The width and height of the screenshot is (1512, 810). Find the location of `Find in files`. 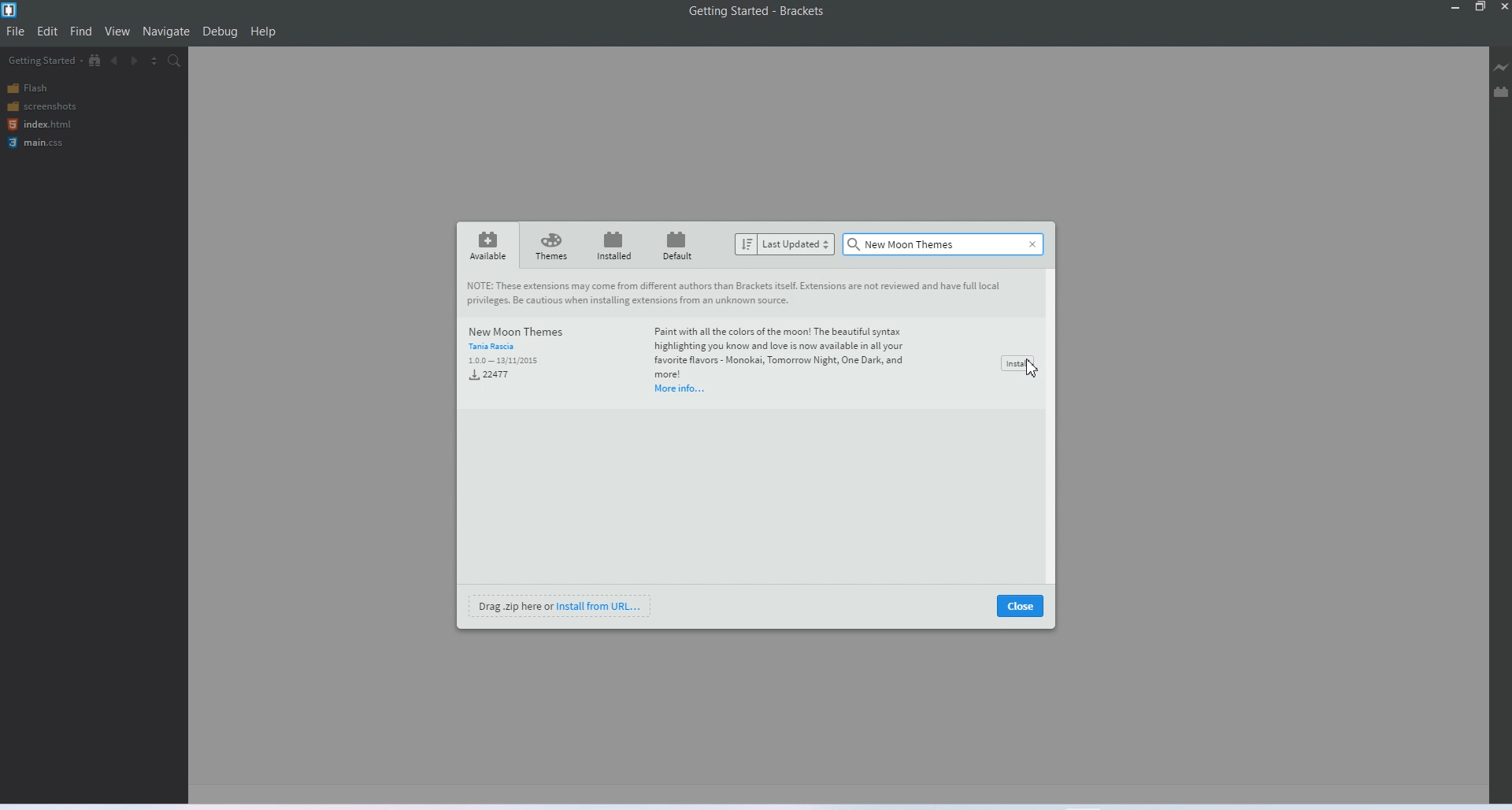

Find in files is located at coordinates (175, 61).